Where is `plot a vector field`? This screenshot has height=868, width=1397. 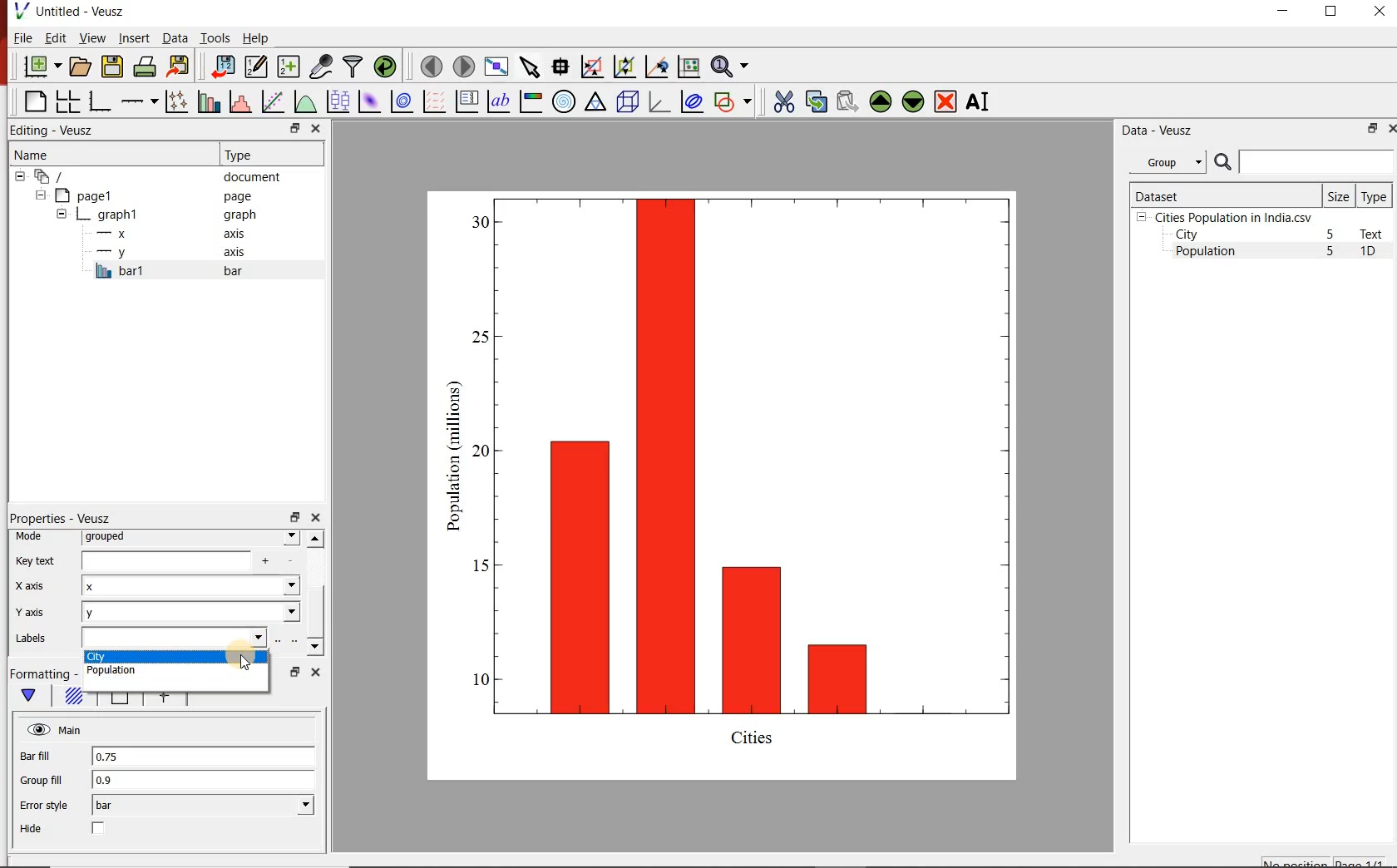
plot a vector field is located at coordinates (432, 101).